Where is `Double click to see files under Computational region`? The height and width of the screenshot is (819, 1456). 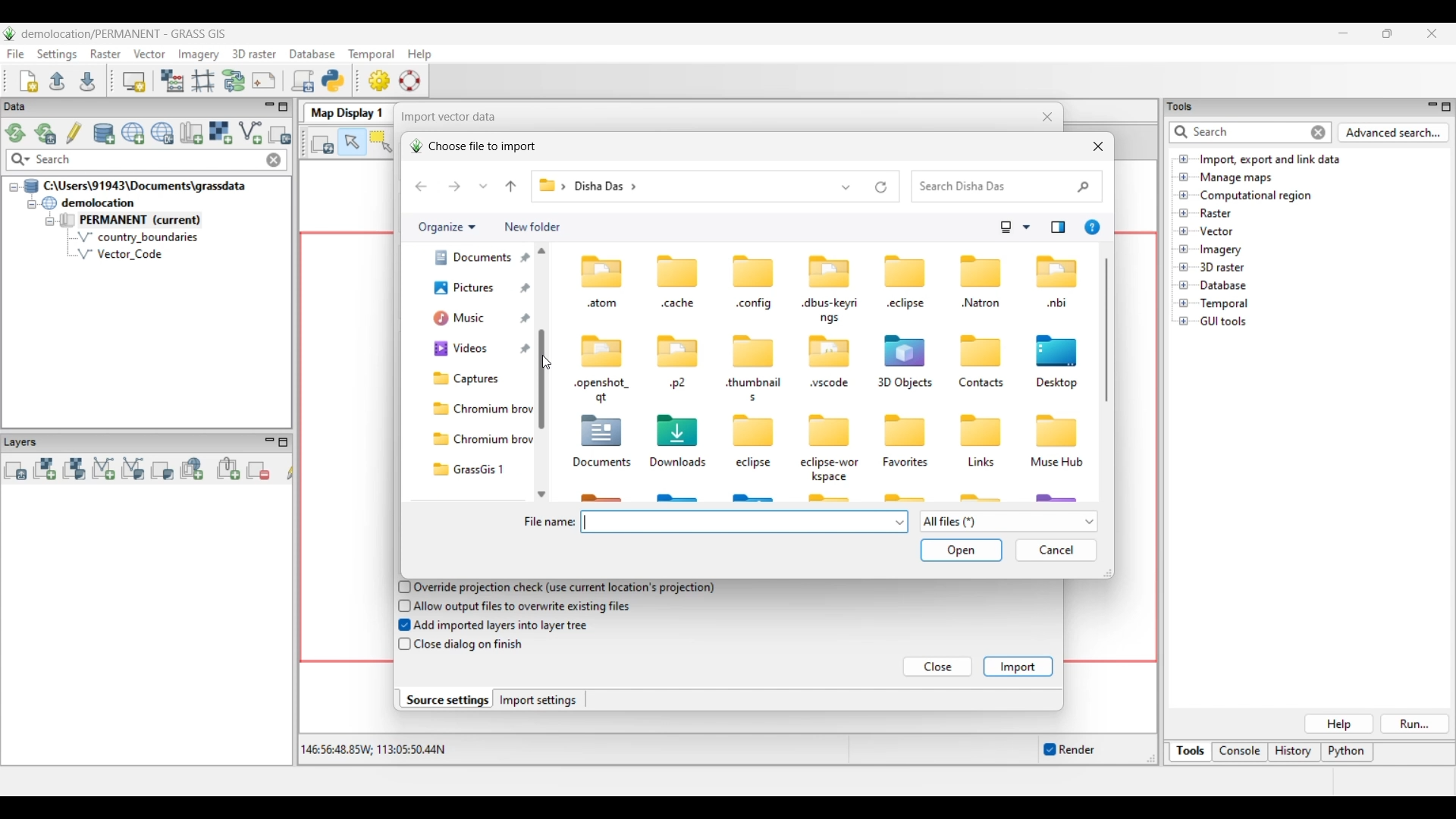 Double click to see files under Computational region is located at coordinates (1256, 196).